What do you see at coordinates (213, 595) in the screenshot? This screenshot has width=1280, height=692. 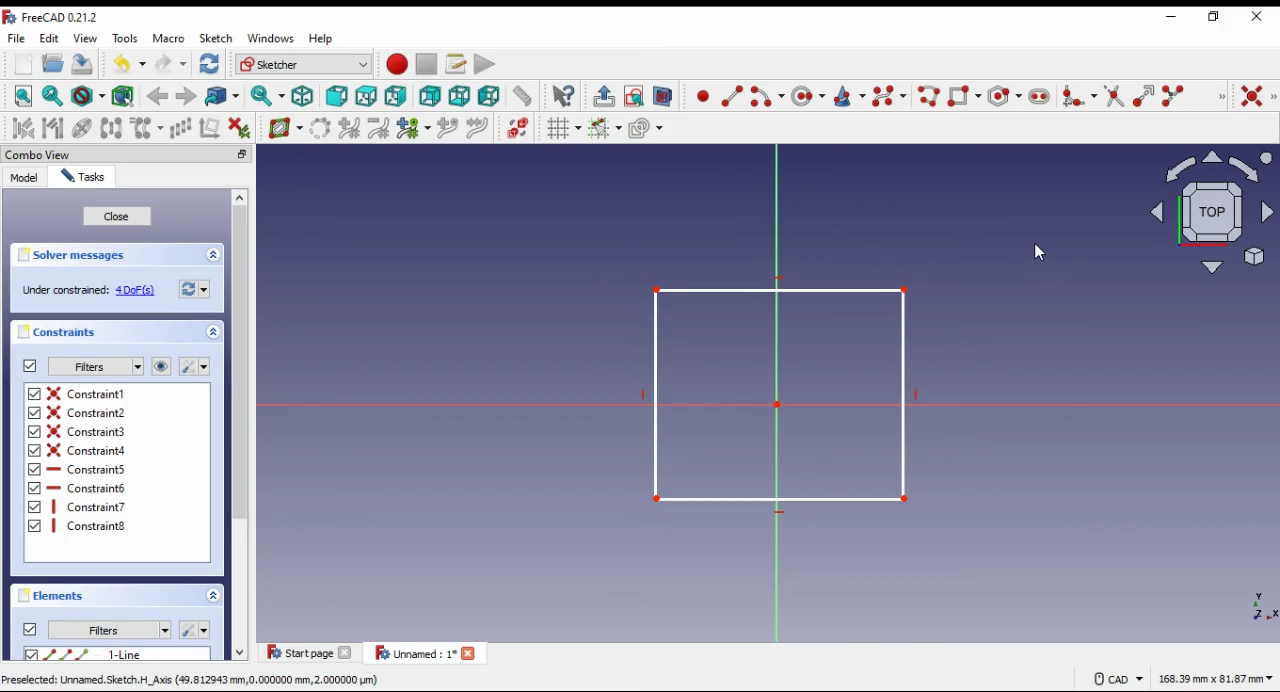 I see `expand/collapse` at bounding box center [213, 595].